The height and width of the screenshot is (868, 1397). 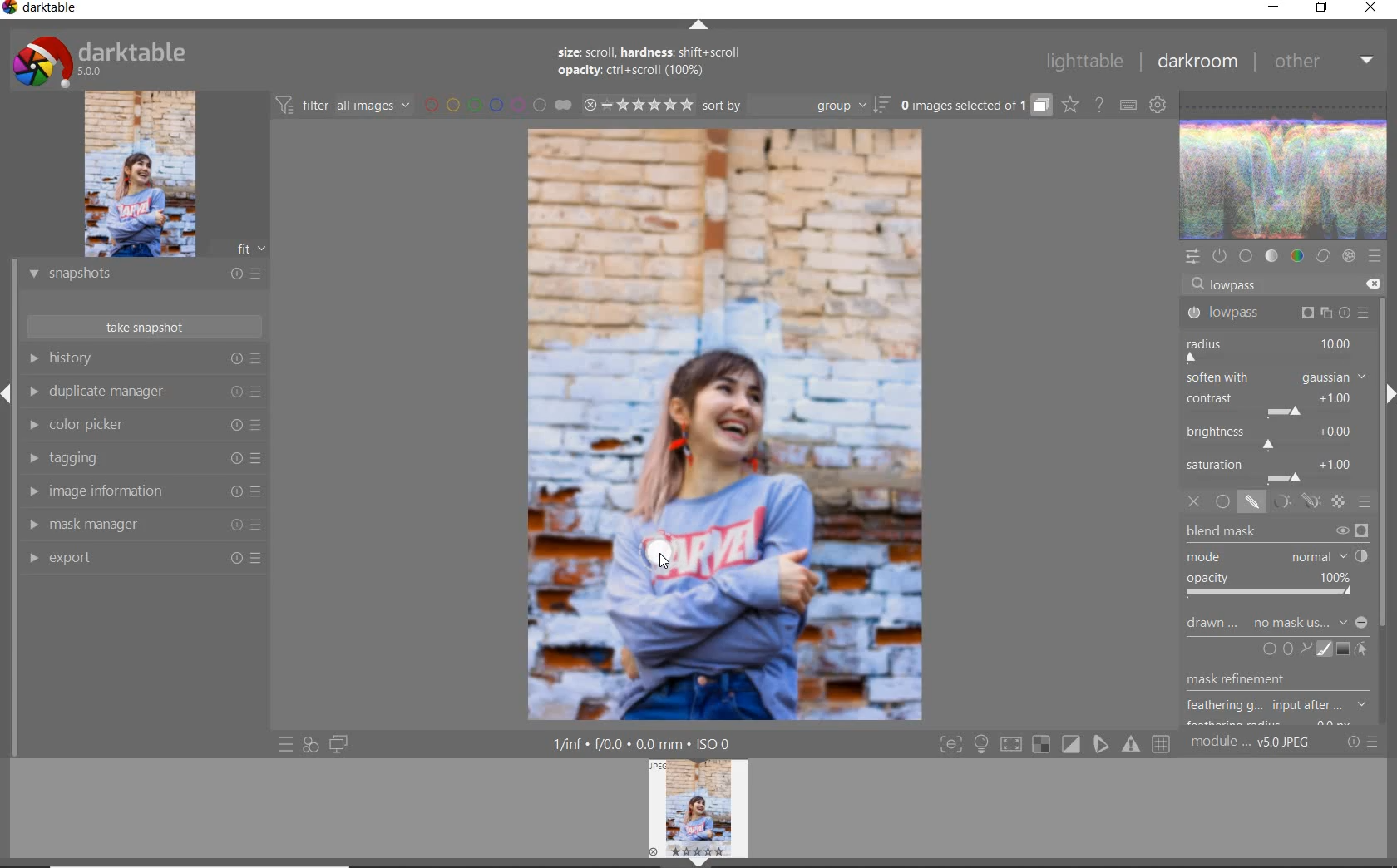 I want to click on enable online help, so click(x=1100, y=104).